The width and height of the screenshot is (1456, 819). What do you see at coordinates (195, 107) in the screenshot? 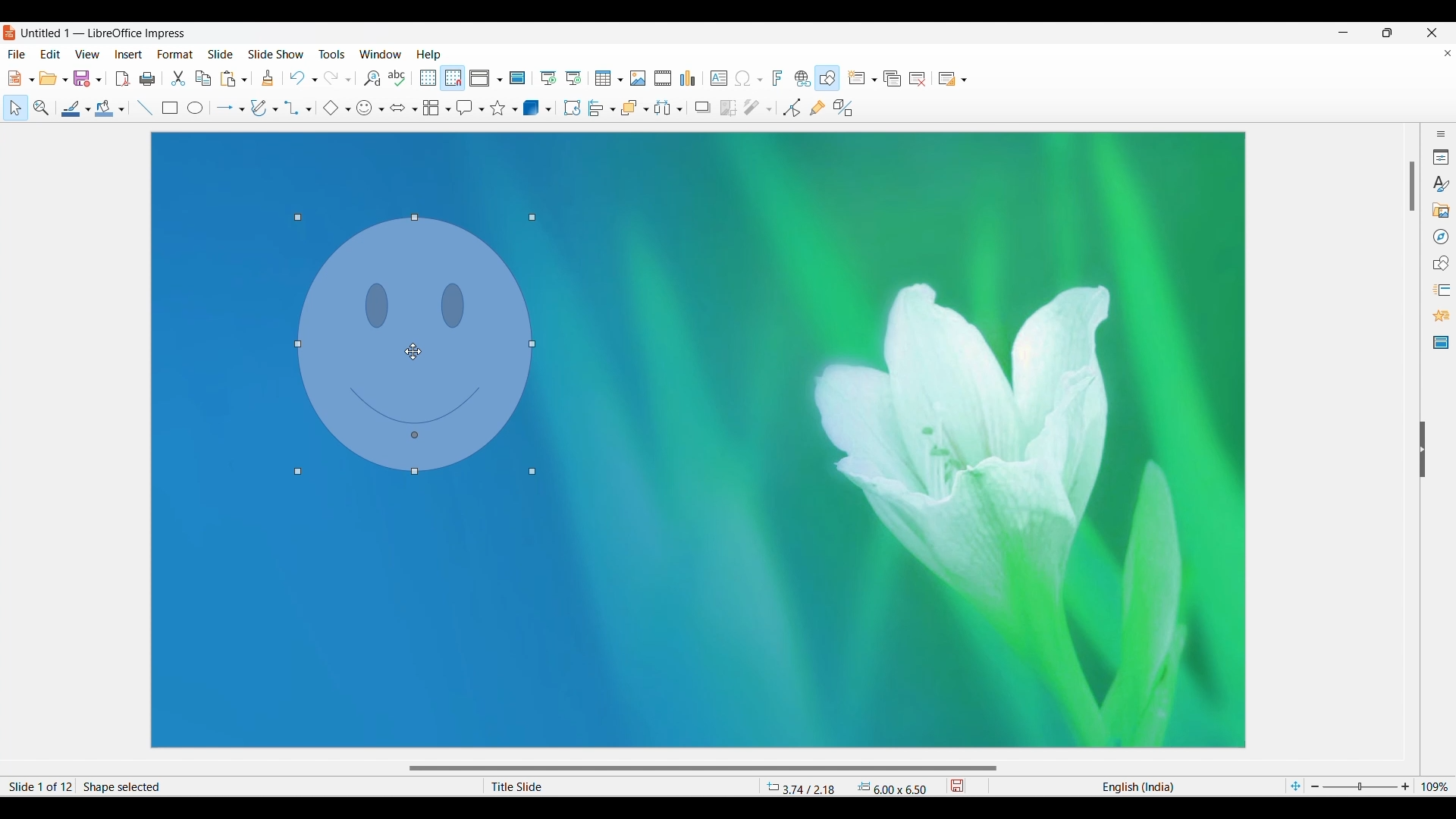
I see `Ellipse` at bounding box center [195, 107].